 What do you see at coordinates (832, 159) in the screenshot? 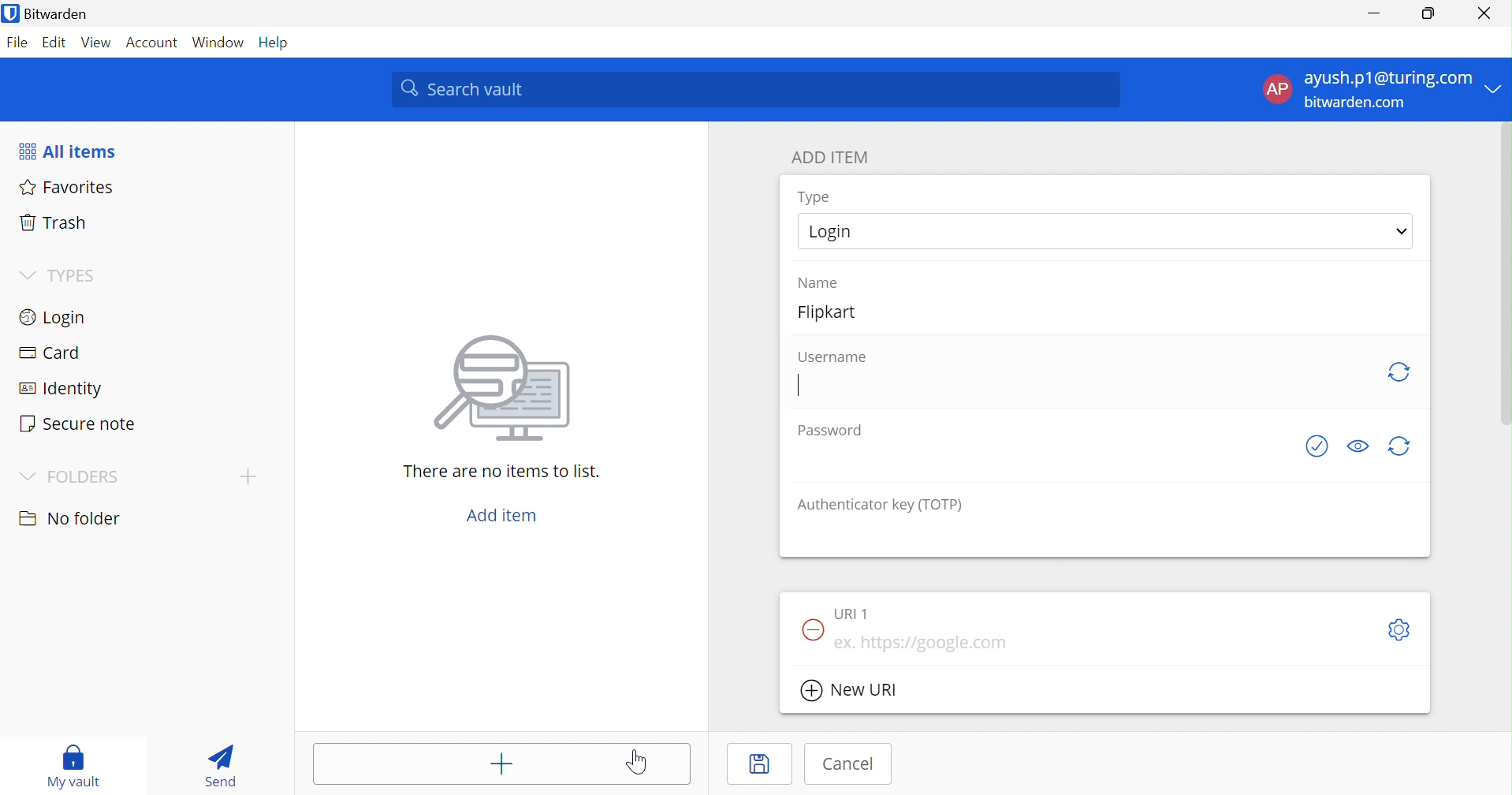
I see `ADD ITEM` at bounding box center [832, 159].